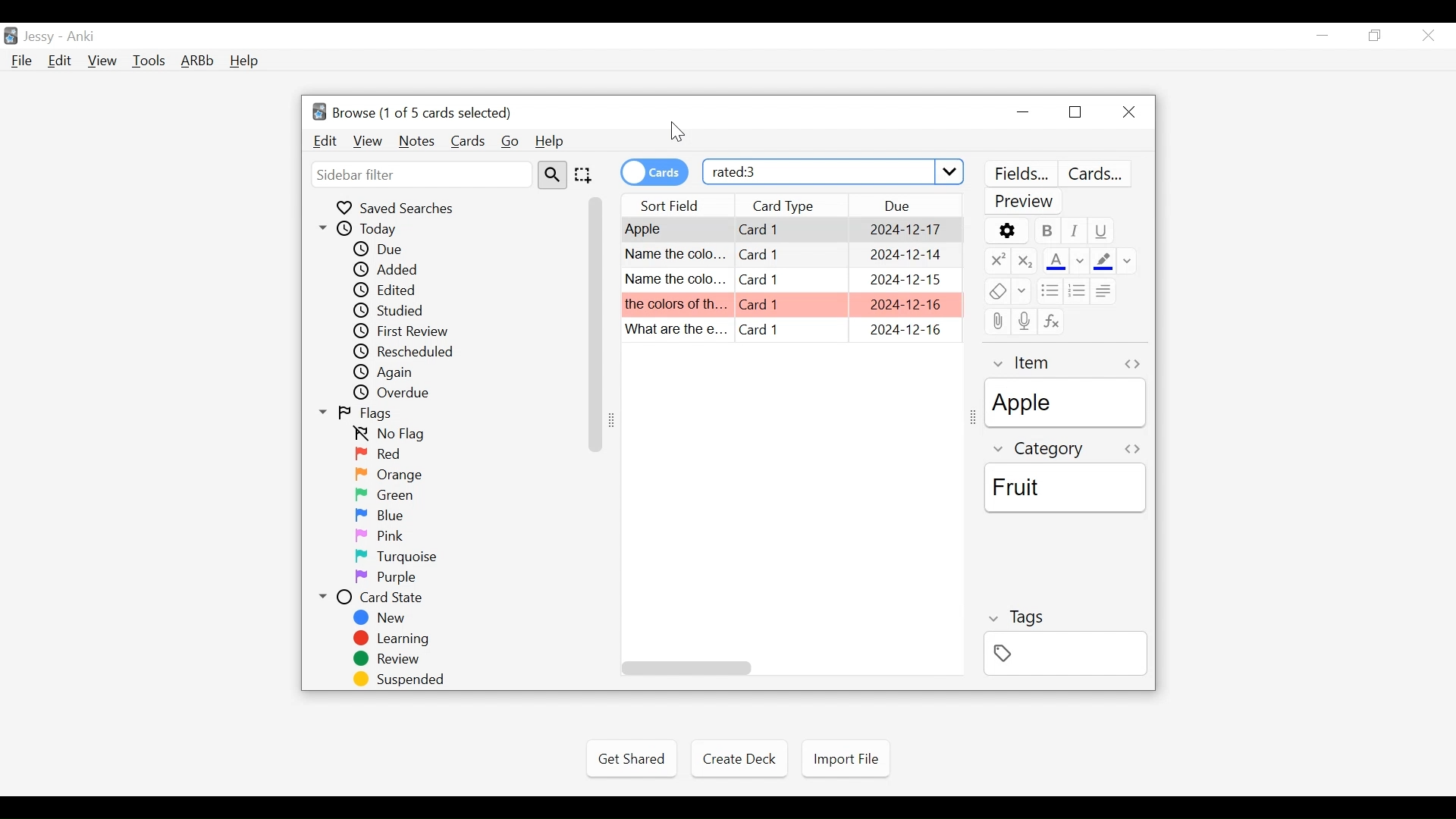  What do you see at coordinates (791, 280) in the screenshot?
I see `Card Type` at bounding box center [791, 280].